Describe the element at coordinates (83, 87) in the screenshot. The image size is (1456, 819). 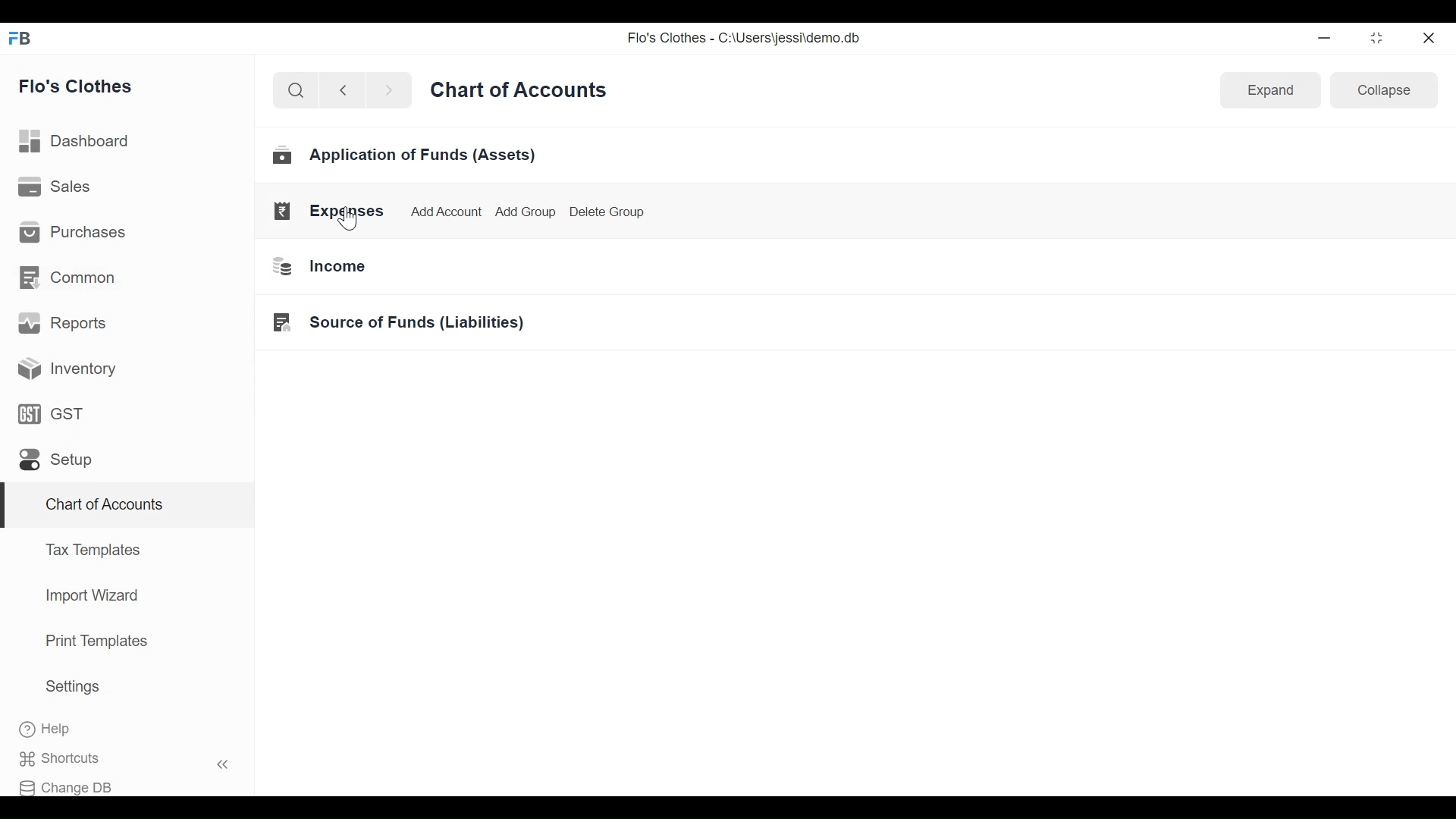
I see `Flo's Clothes` at that location.